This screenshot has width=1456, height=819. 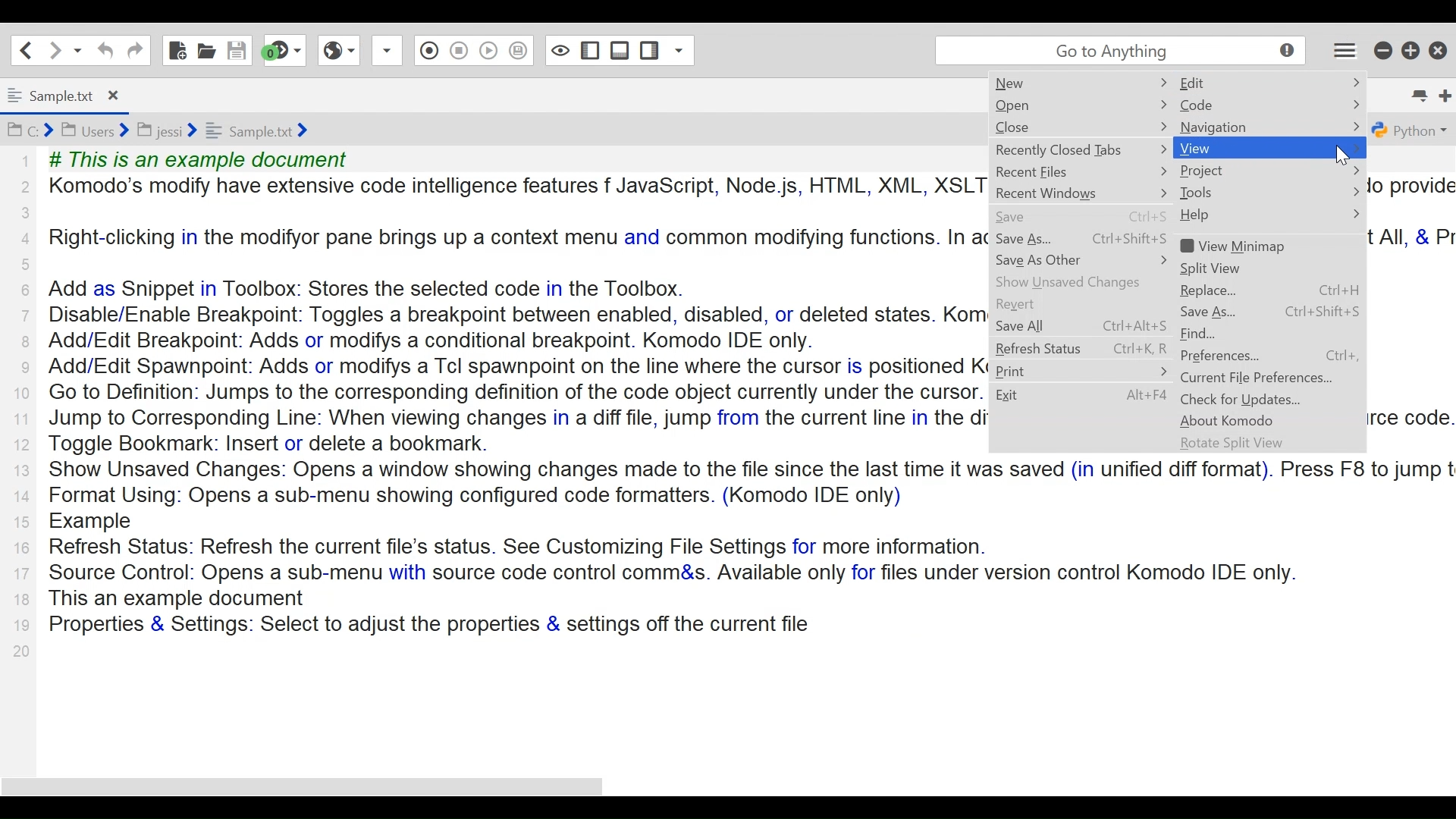 I want to click on Show/Hide Left Pane, so click(x=621, y=50).